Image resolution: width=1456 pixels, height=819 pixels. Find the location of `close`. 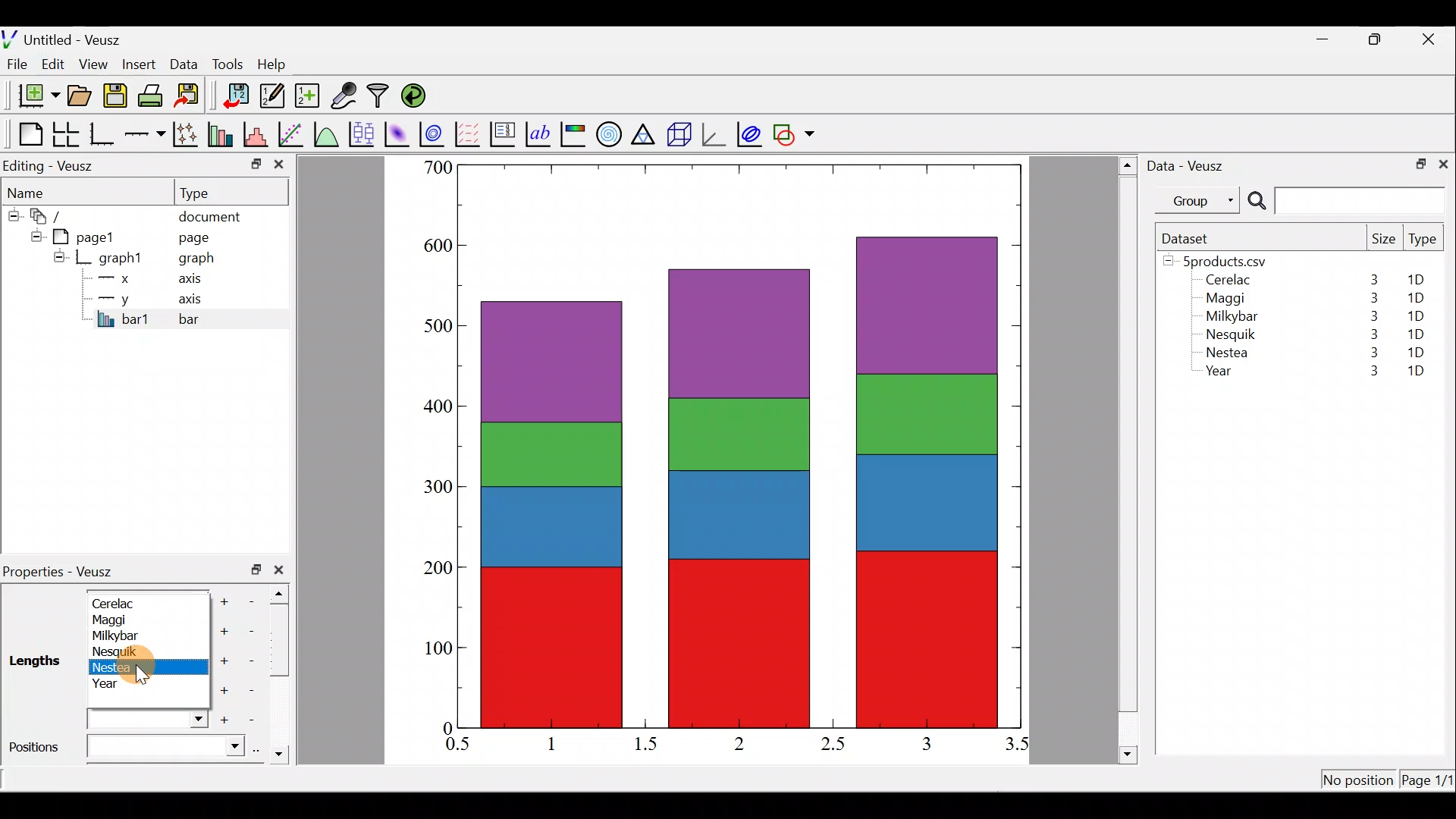

close is located at coordinates (1430, 39).